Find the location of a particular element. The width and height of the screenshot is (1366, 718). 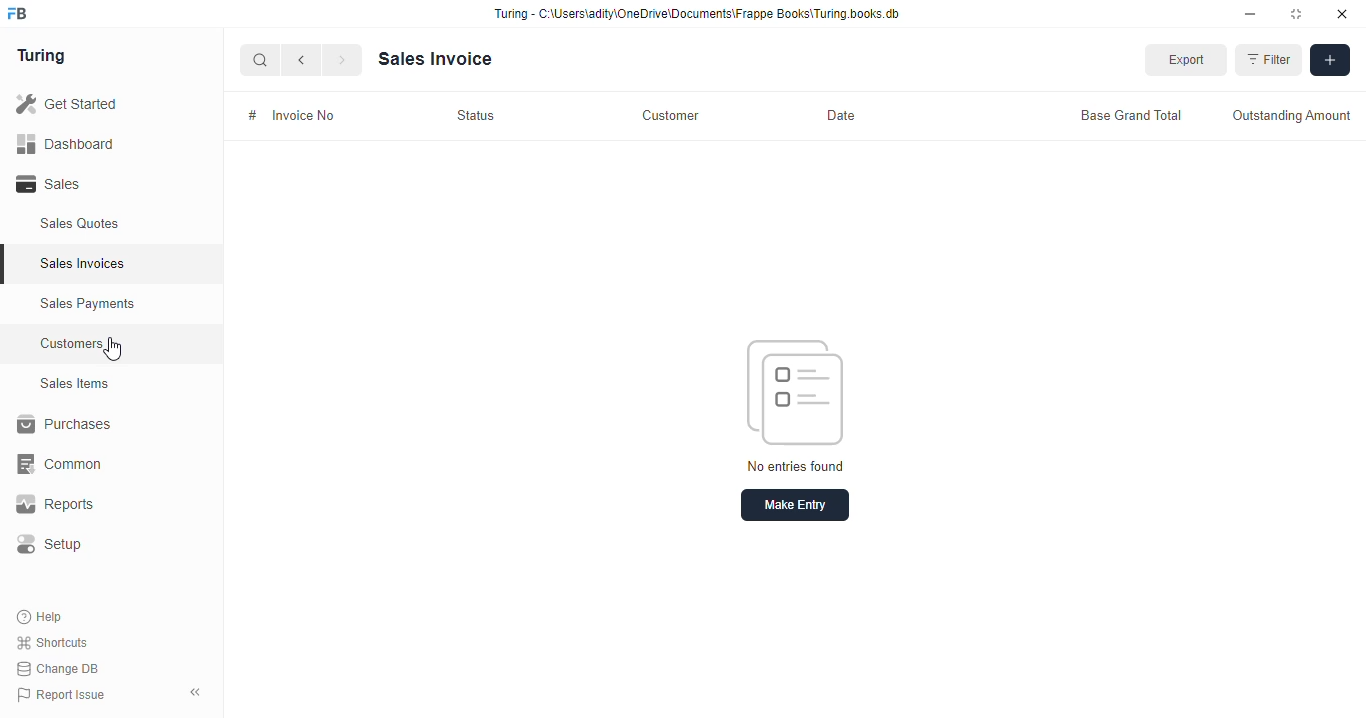

Shortcuts is located at coordinates (58, 643).